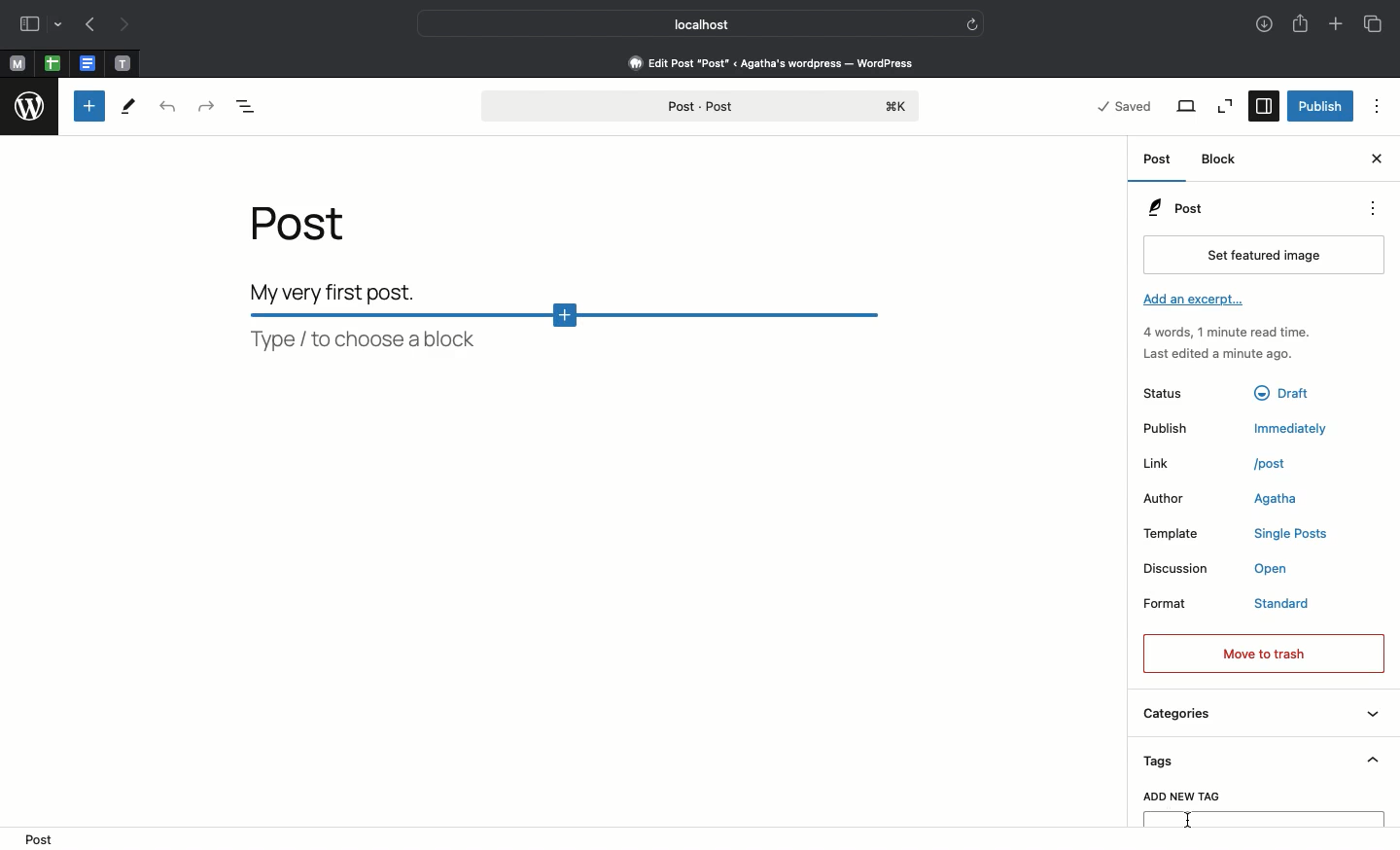 The image size is (1400, 850). What do you see at coordinates (1376, 160) in the screenshot?
I see `Close` at bounding box center [1376, 160].